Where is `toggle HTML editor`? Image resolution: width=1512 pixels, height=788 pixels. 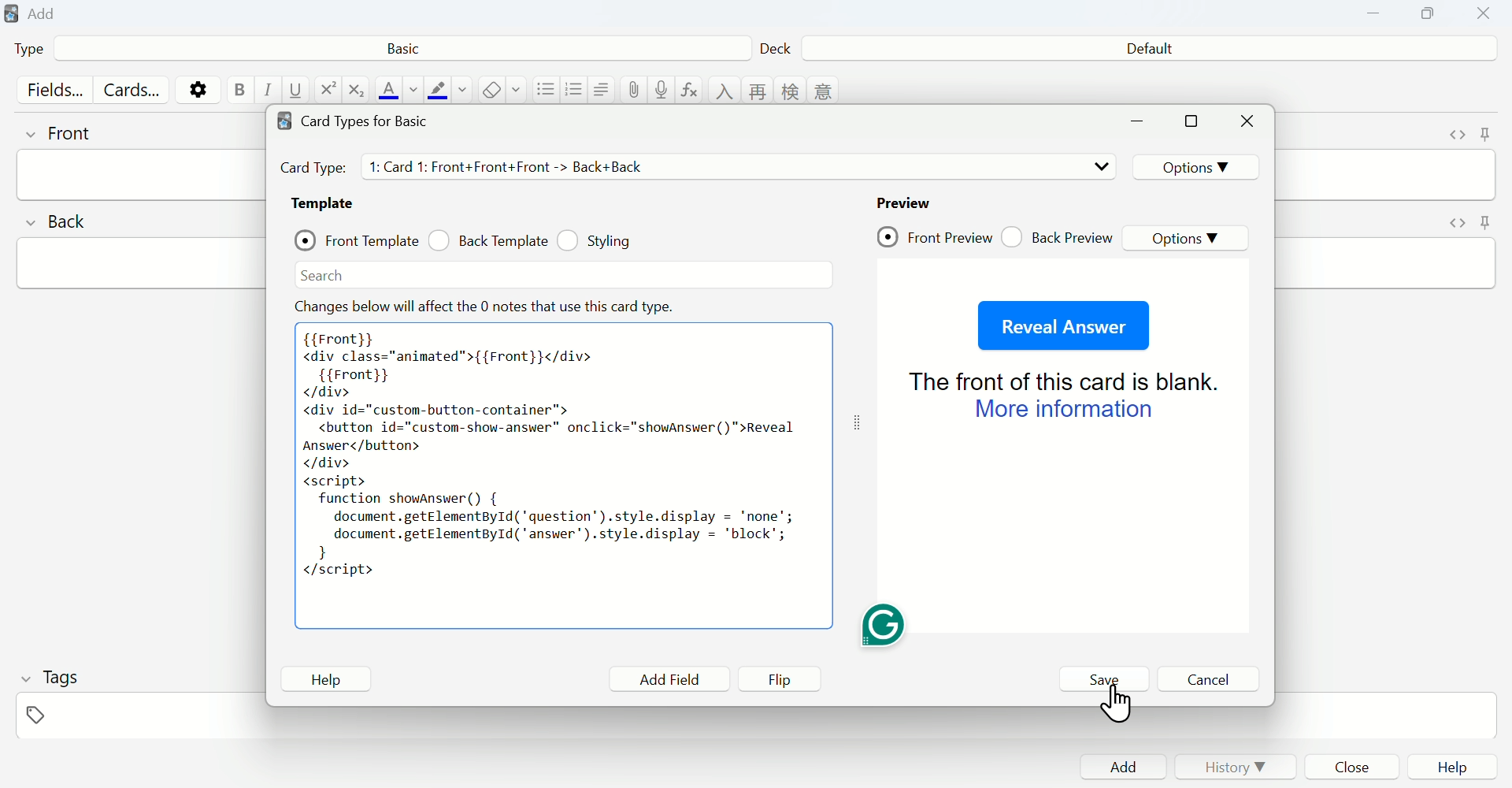
toggle HTML editor is located at coordinates (1458, 134).